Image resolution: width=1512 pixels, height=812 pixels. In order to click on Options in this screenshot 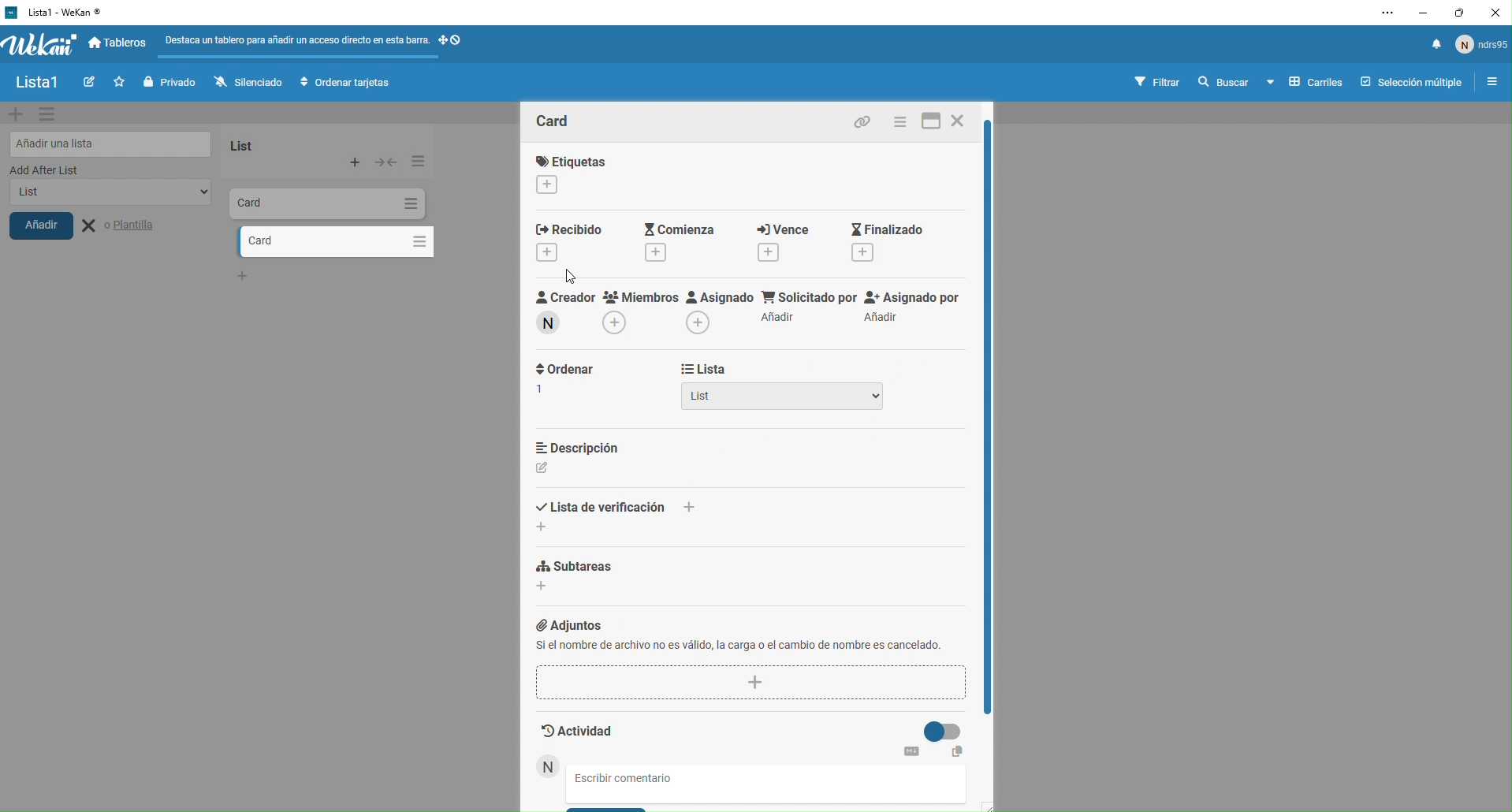, I will do `click(415, 239)`.